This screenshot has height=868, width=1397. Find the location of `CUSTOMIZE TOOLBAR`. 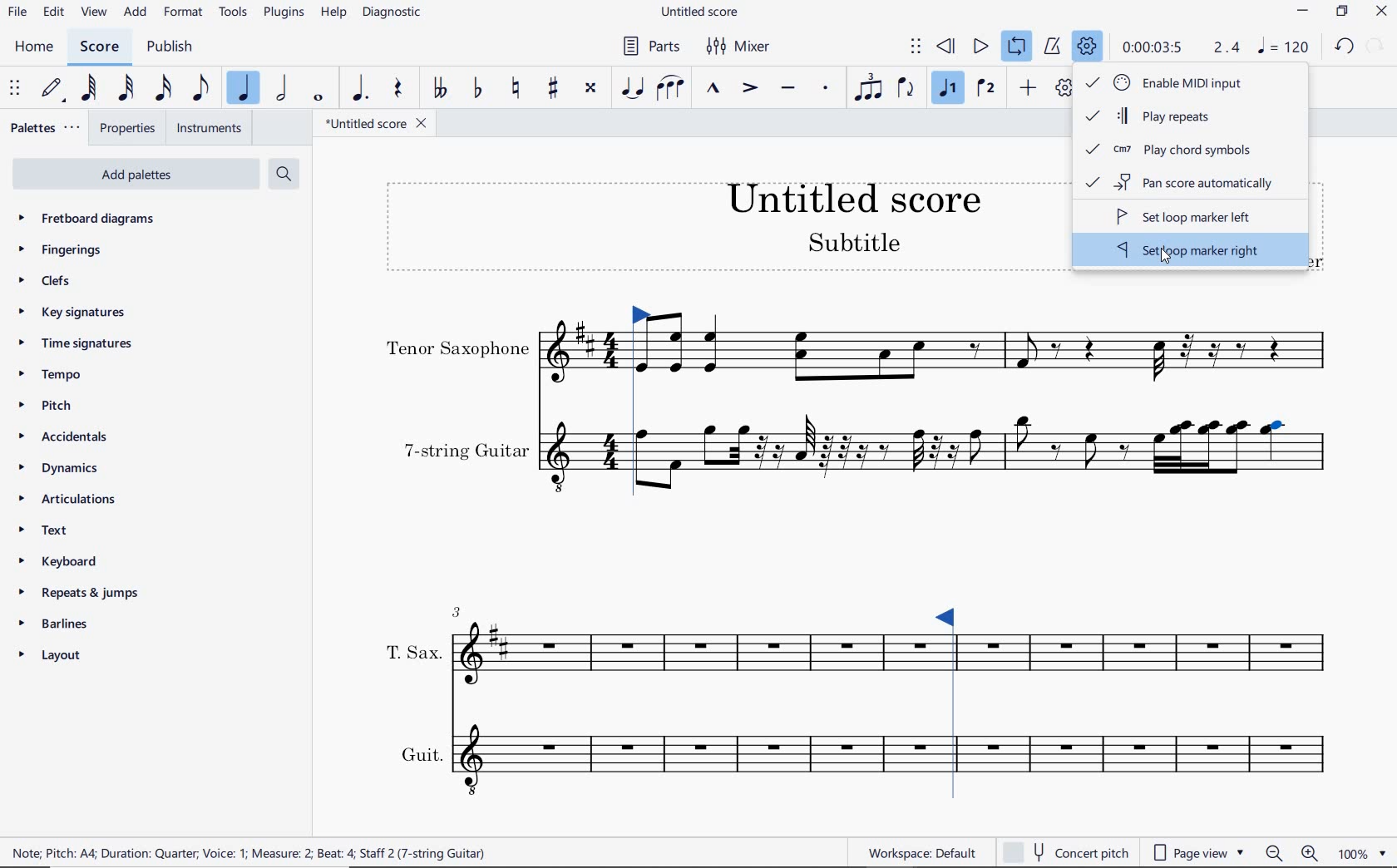

CUSTOMIZE TOOLBAR is located at coordinates (1059, 89).